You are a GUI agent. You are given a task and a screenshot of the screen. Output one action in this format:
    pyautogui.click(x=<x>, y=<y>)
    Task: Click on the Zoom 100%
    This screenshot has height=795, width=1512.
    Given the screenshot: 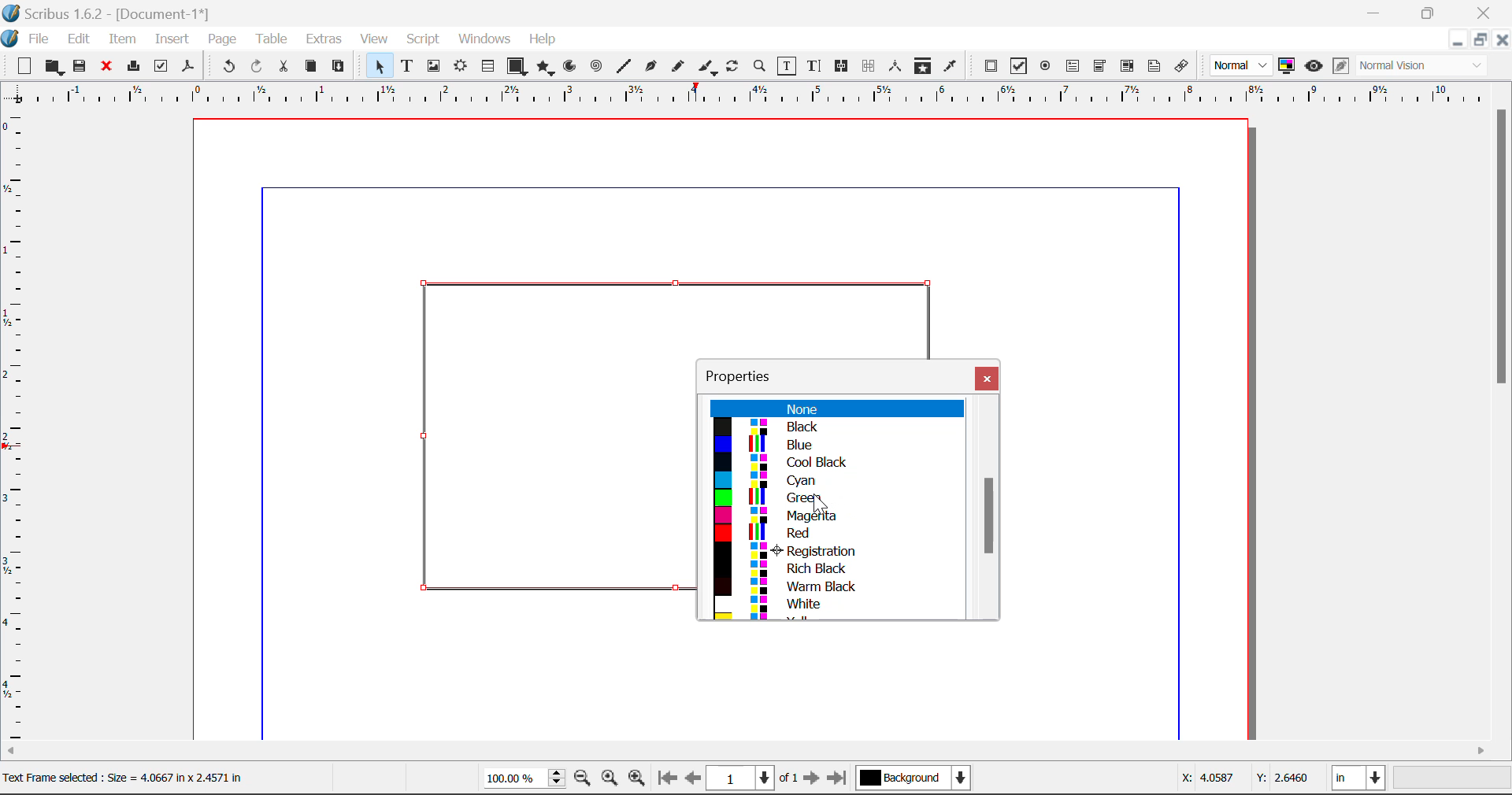 What is the action you would take?
    pyautogui.click(x=524, y=779)
    